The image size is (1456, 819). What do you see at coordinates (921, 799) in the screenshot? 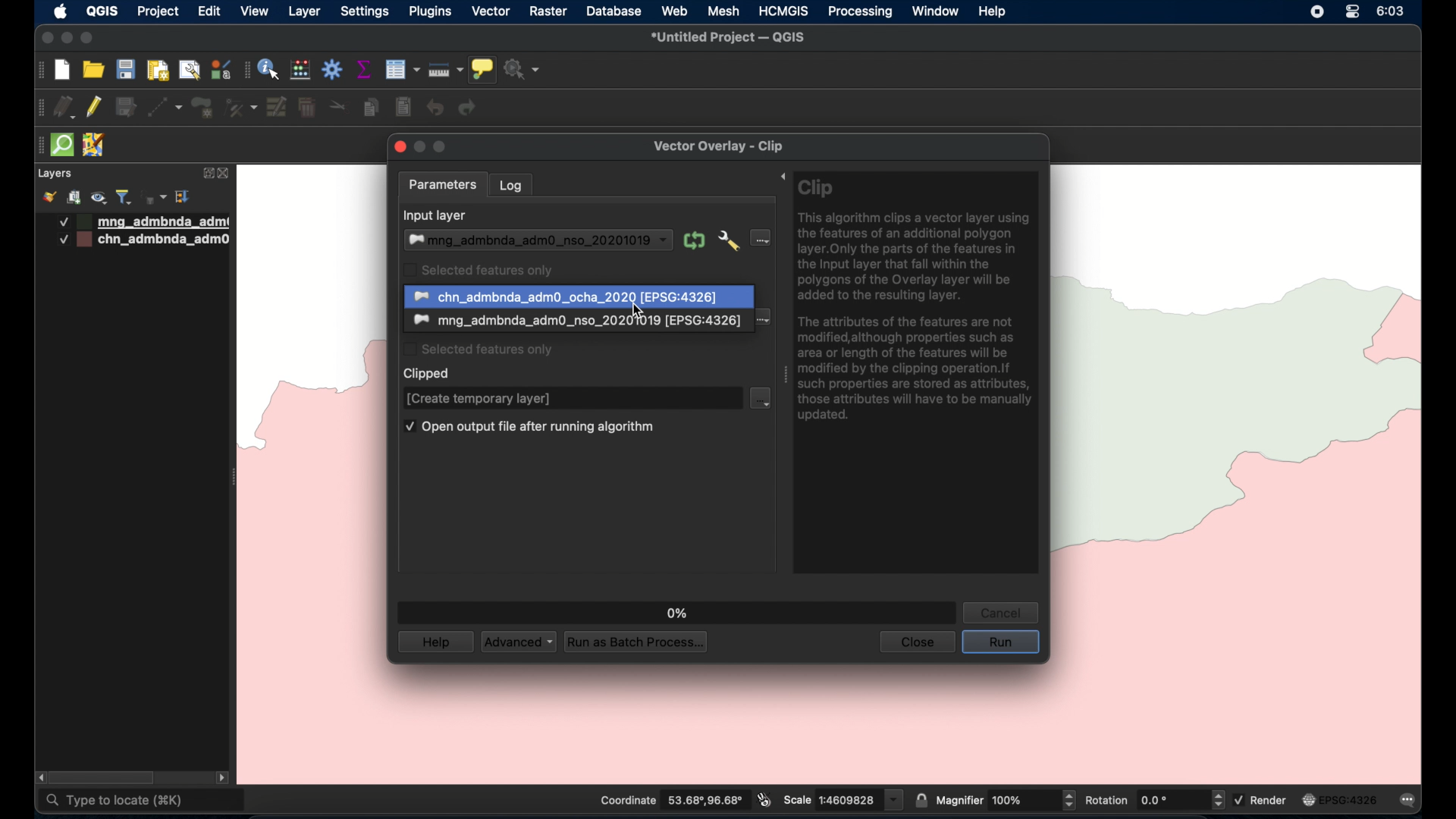
I see `lock scale` at bounding box center [921, 799].